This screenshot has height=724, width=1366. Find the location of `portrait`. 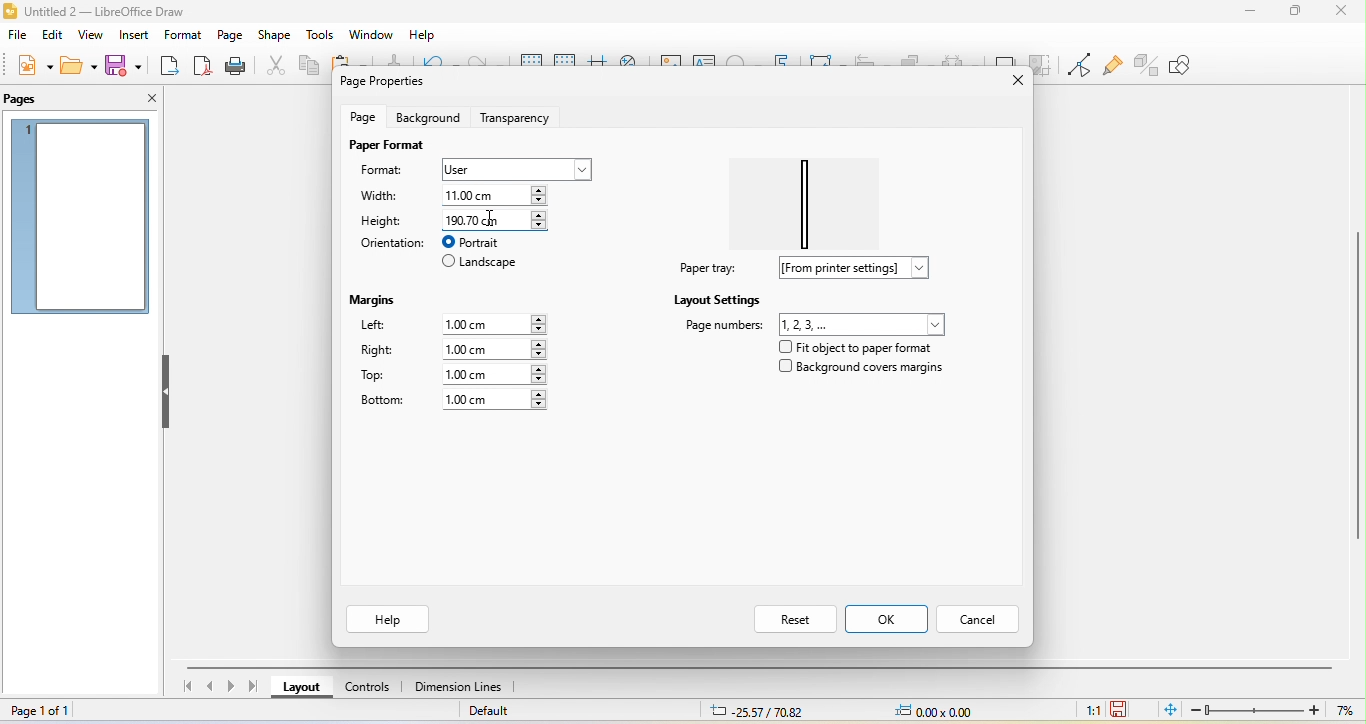

portrait is located at coordinates (483, 242).